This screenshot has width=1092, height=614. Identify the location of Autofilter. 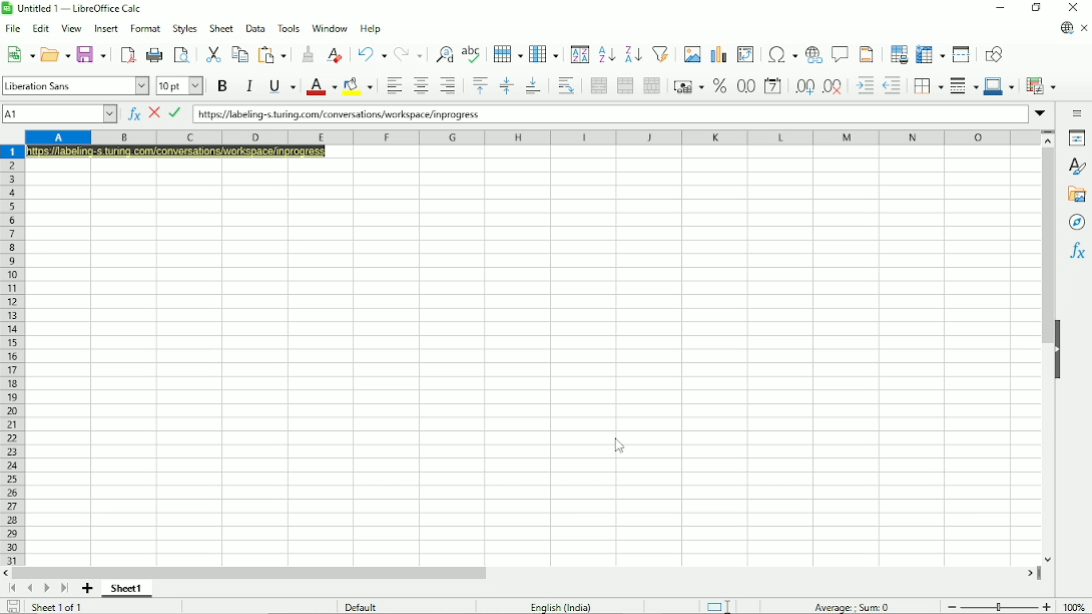
(660, 53).